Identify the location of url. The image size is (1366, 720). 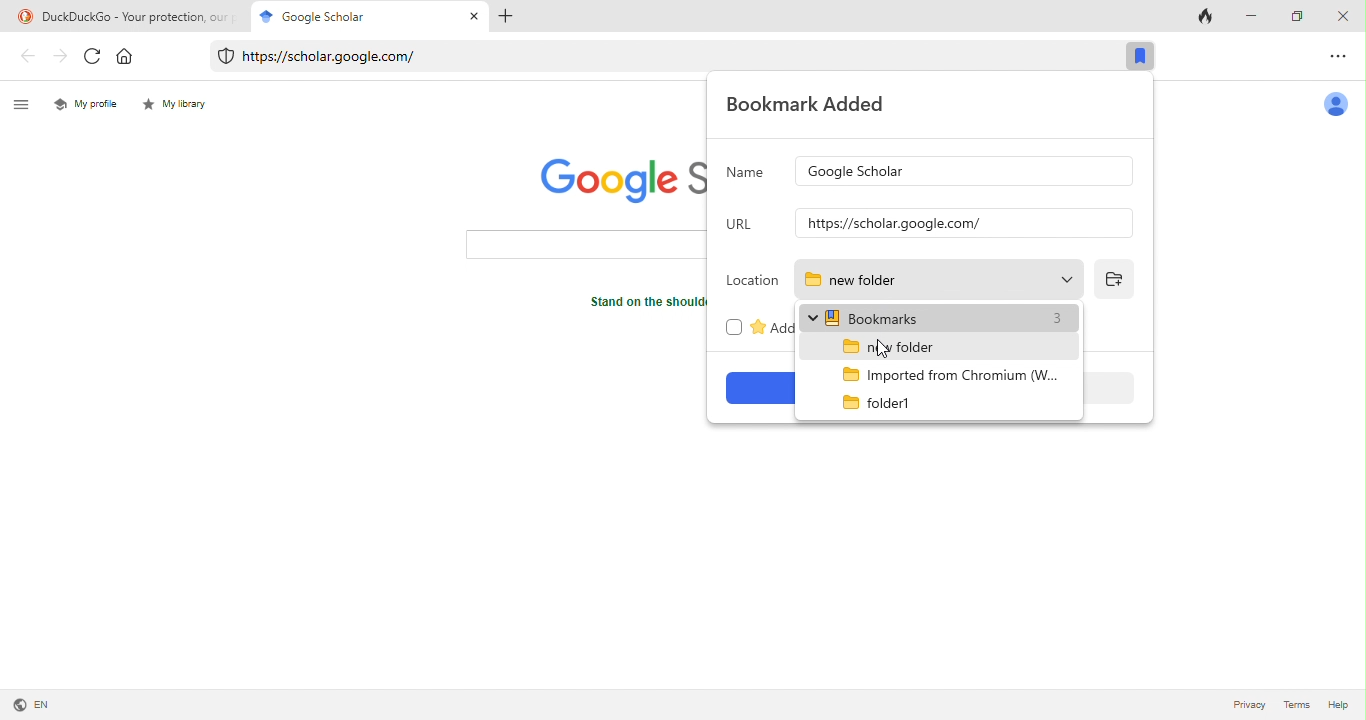
(742, 227).